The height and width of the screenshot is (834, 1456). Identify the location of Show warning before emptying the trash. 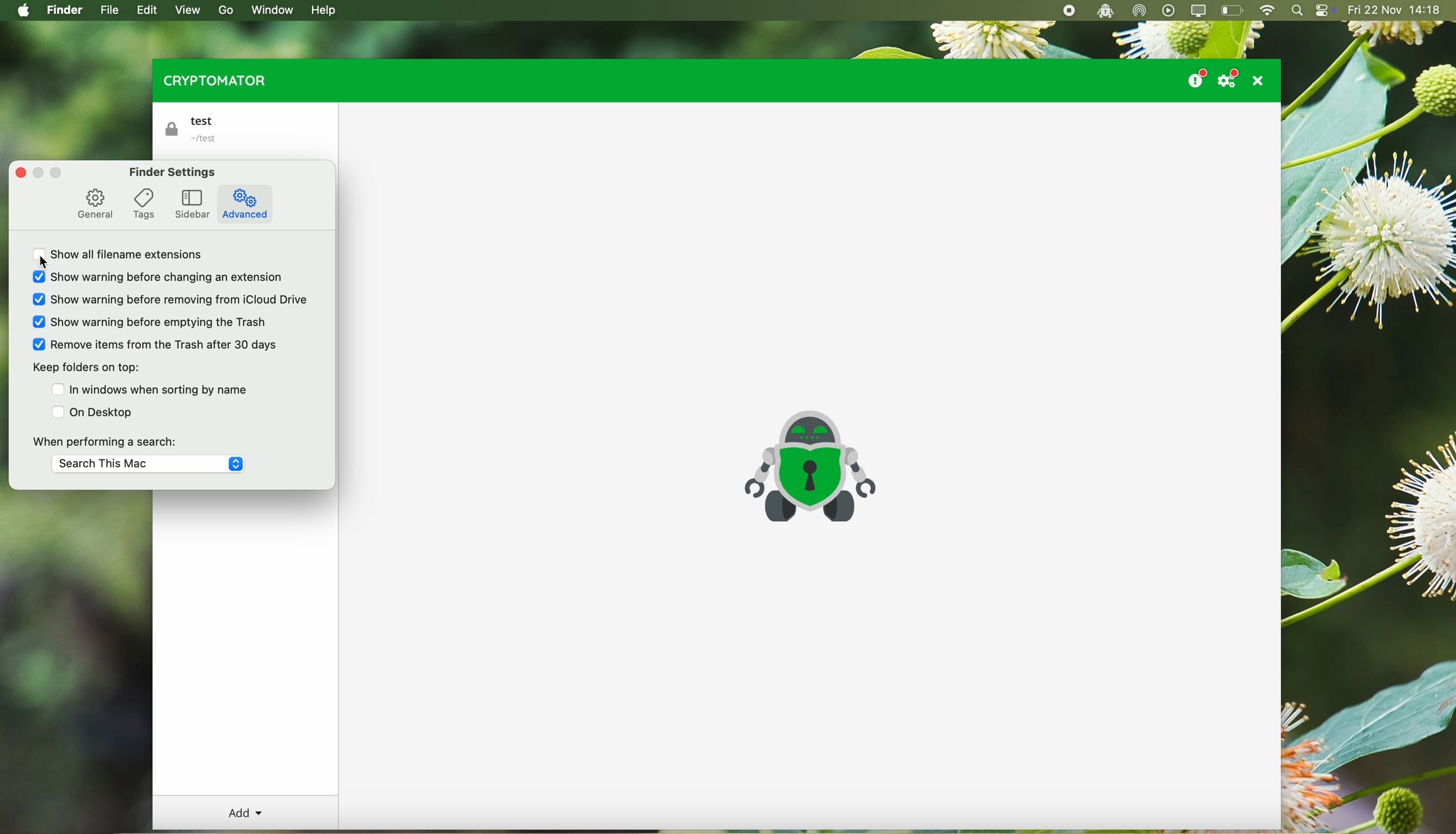
(150, 320).